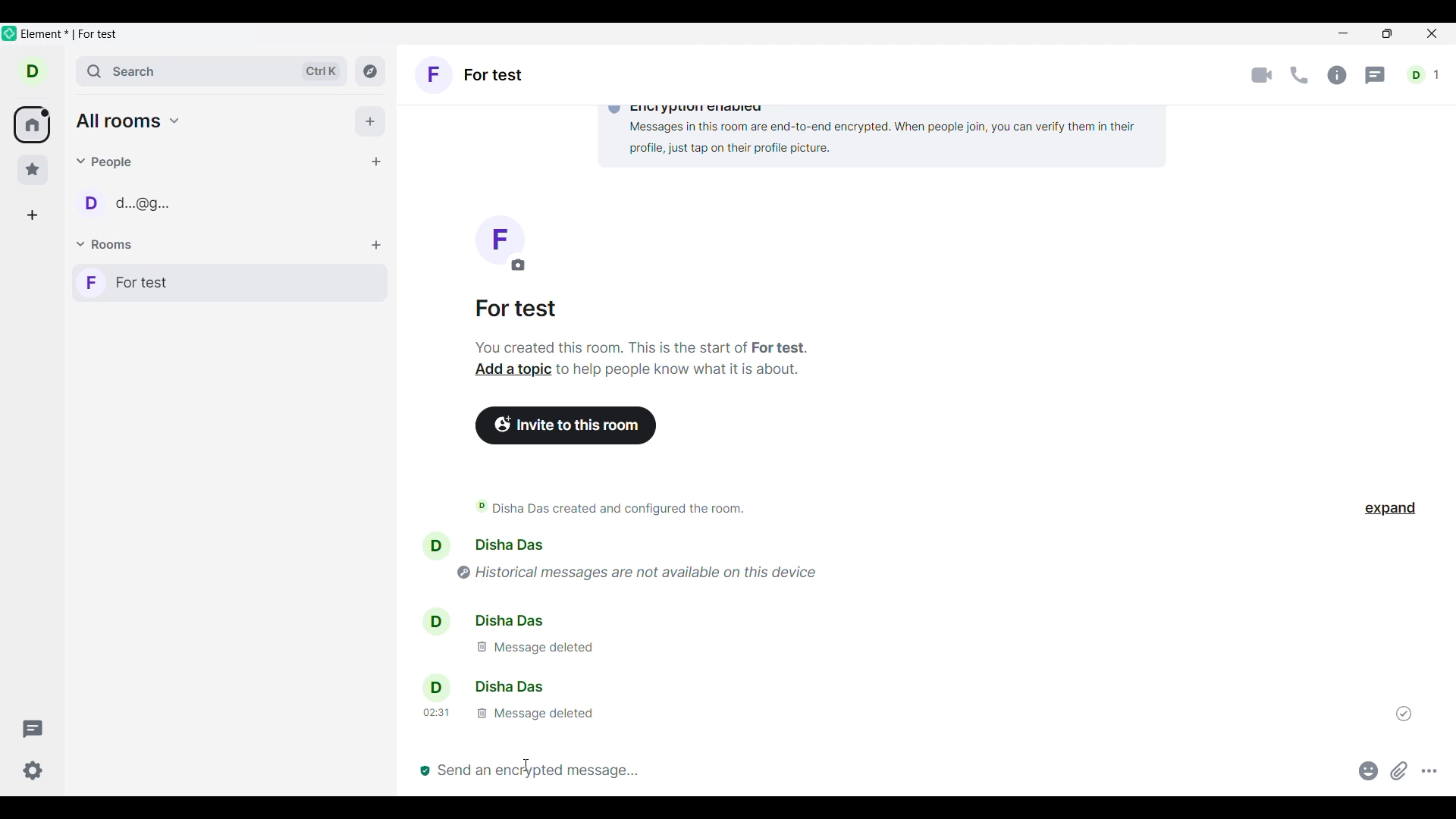 The height and width of the screenshot is (819, 1456). I want to click on everyone in this room is verified, so click(423, 769).